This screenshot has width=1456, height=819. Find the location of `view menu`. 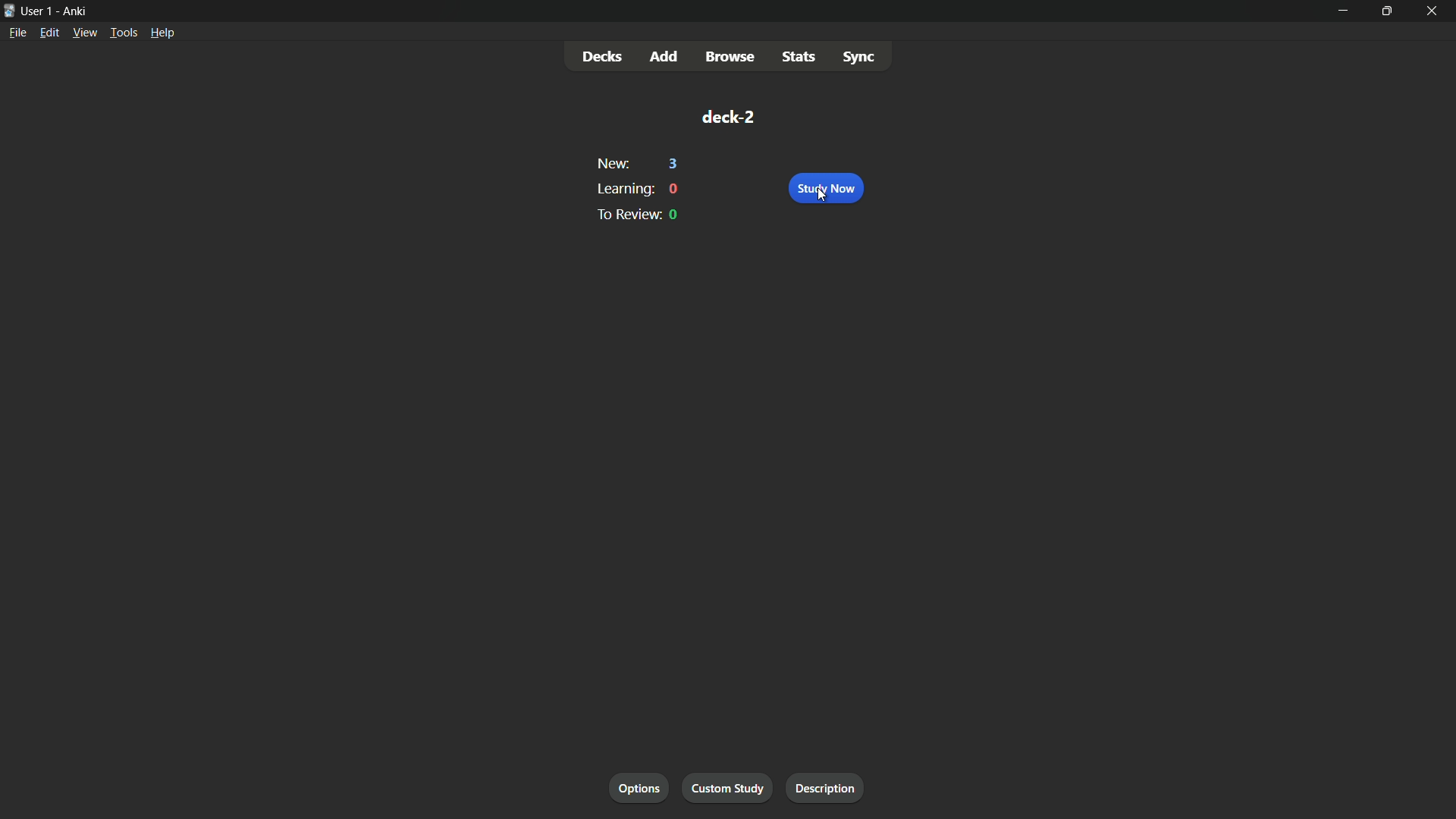

view menu is located at coordinates (85, 33).